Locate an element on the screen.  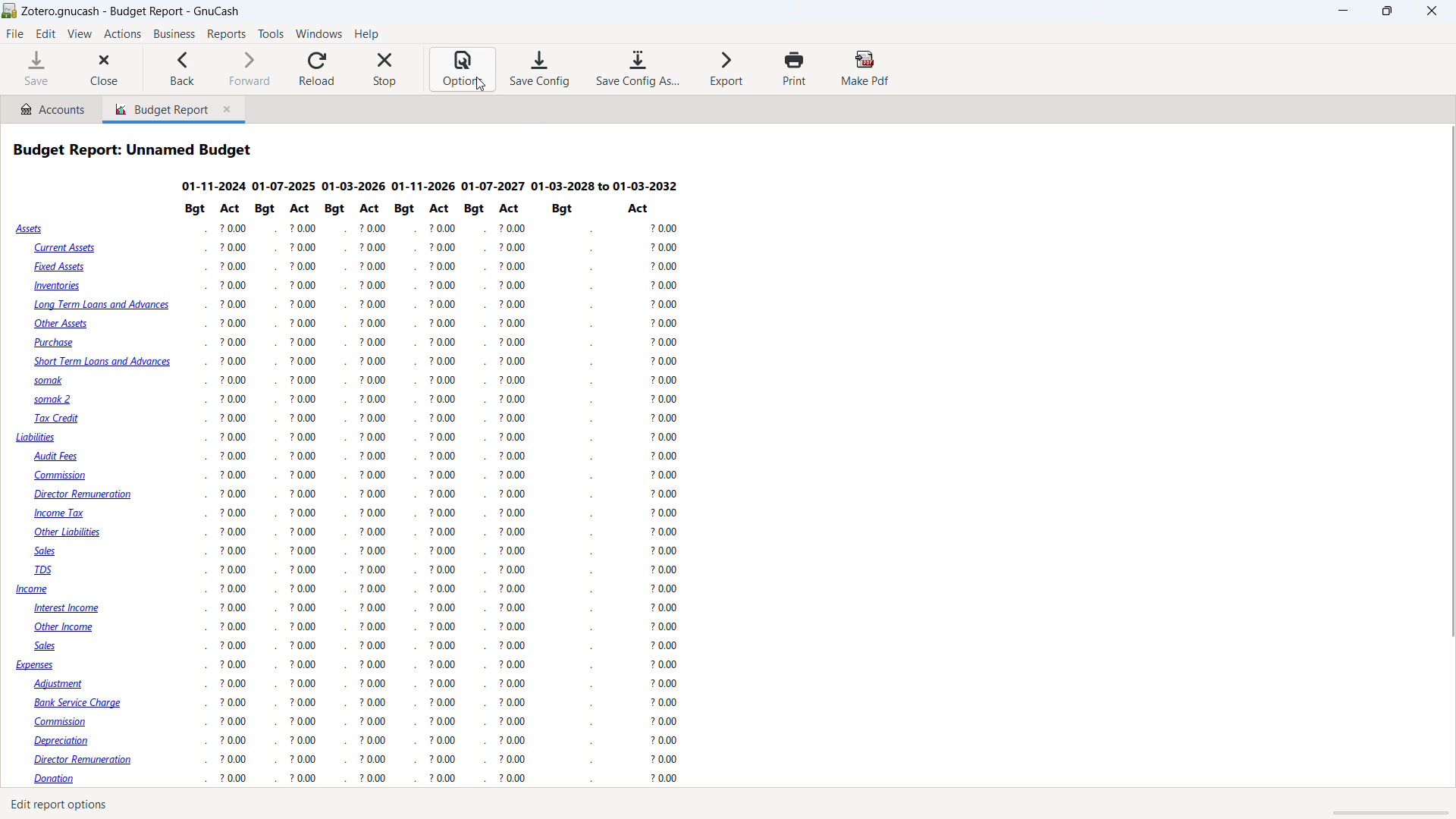
Expenses is located at coordinates (36, 667).